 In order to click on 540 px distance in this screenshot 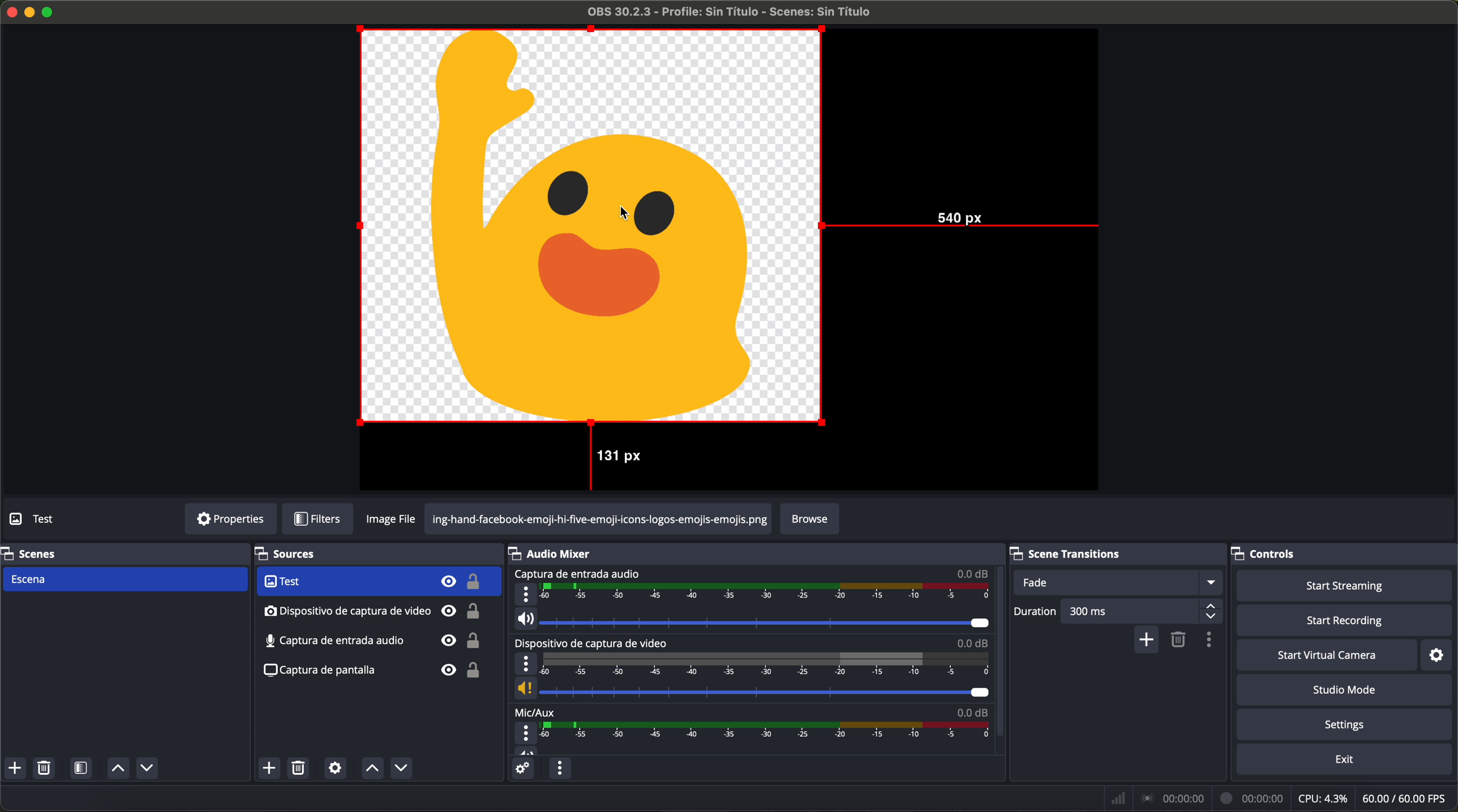, I will do `click(964, 224)`.